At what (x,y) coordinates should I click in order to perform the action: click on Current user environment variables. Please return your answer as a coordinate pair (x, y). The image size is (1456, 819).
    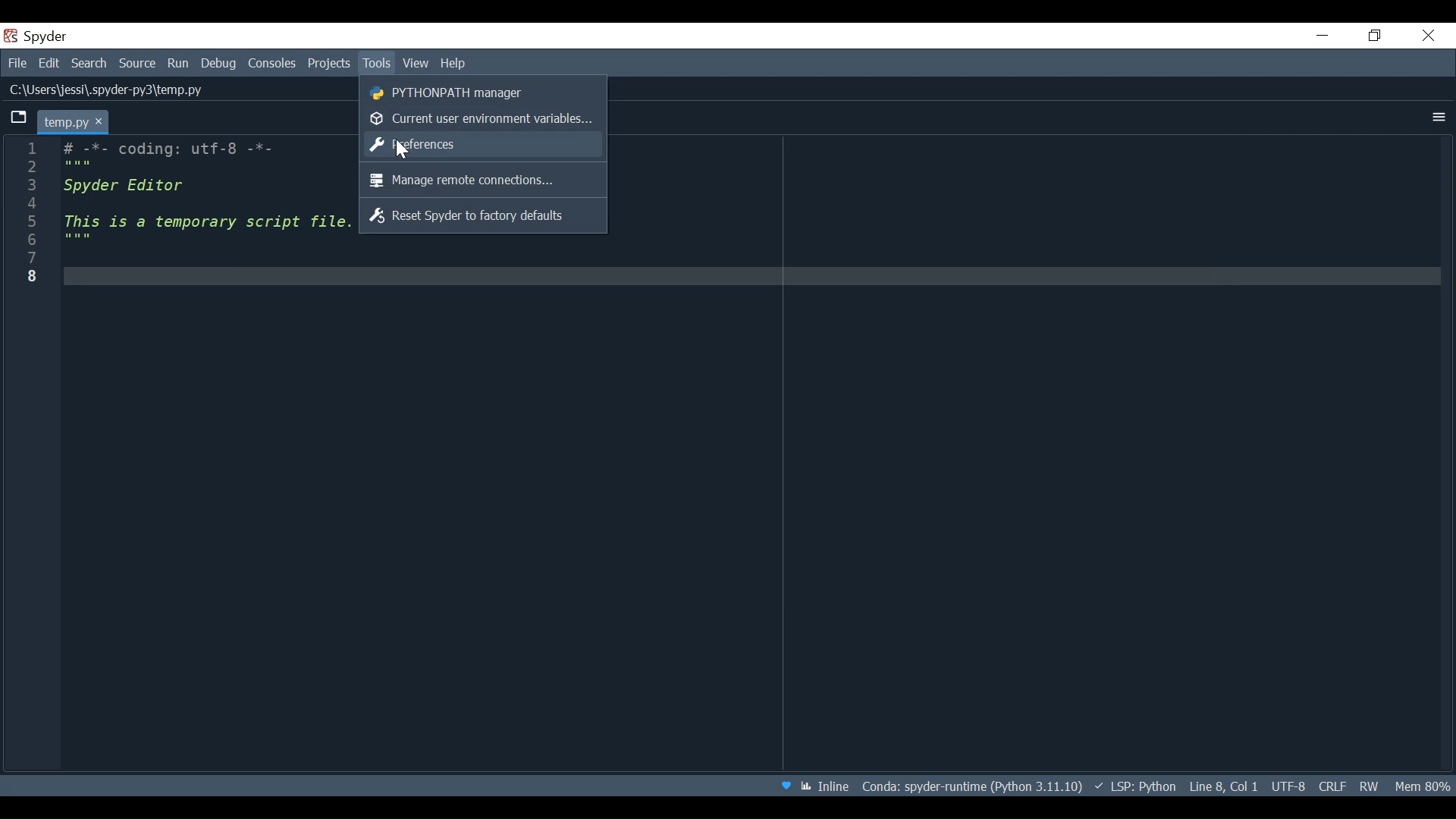
    Looking at the image, I should click on (481, 118).